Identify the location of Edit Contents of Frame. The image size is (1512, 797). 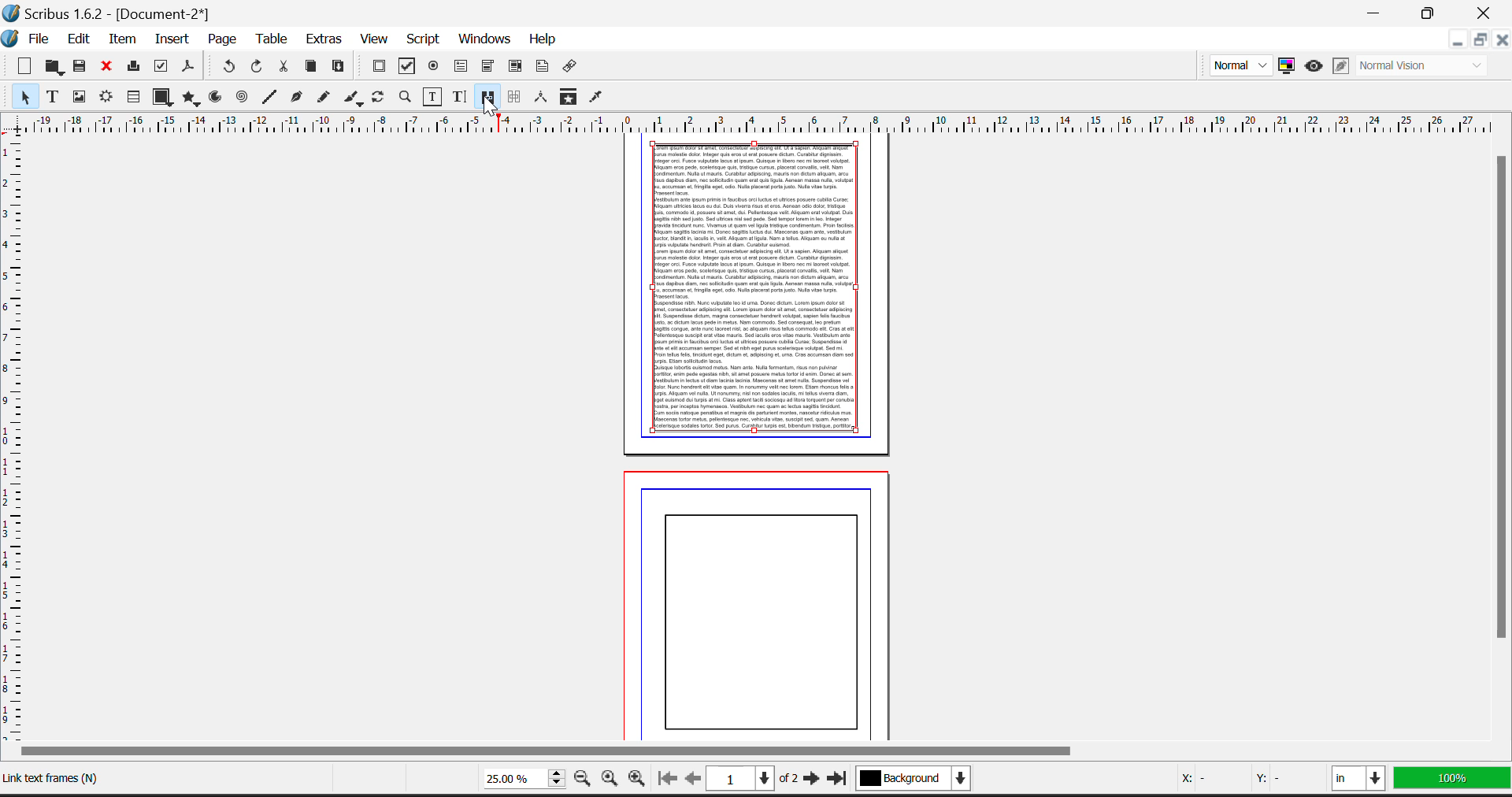
(431, 96).